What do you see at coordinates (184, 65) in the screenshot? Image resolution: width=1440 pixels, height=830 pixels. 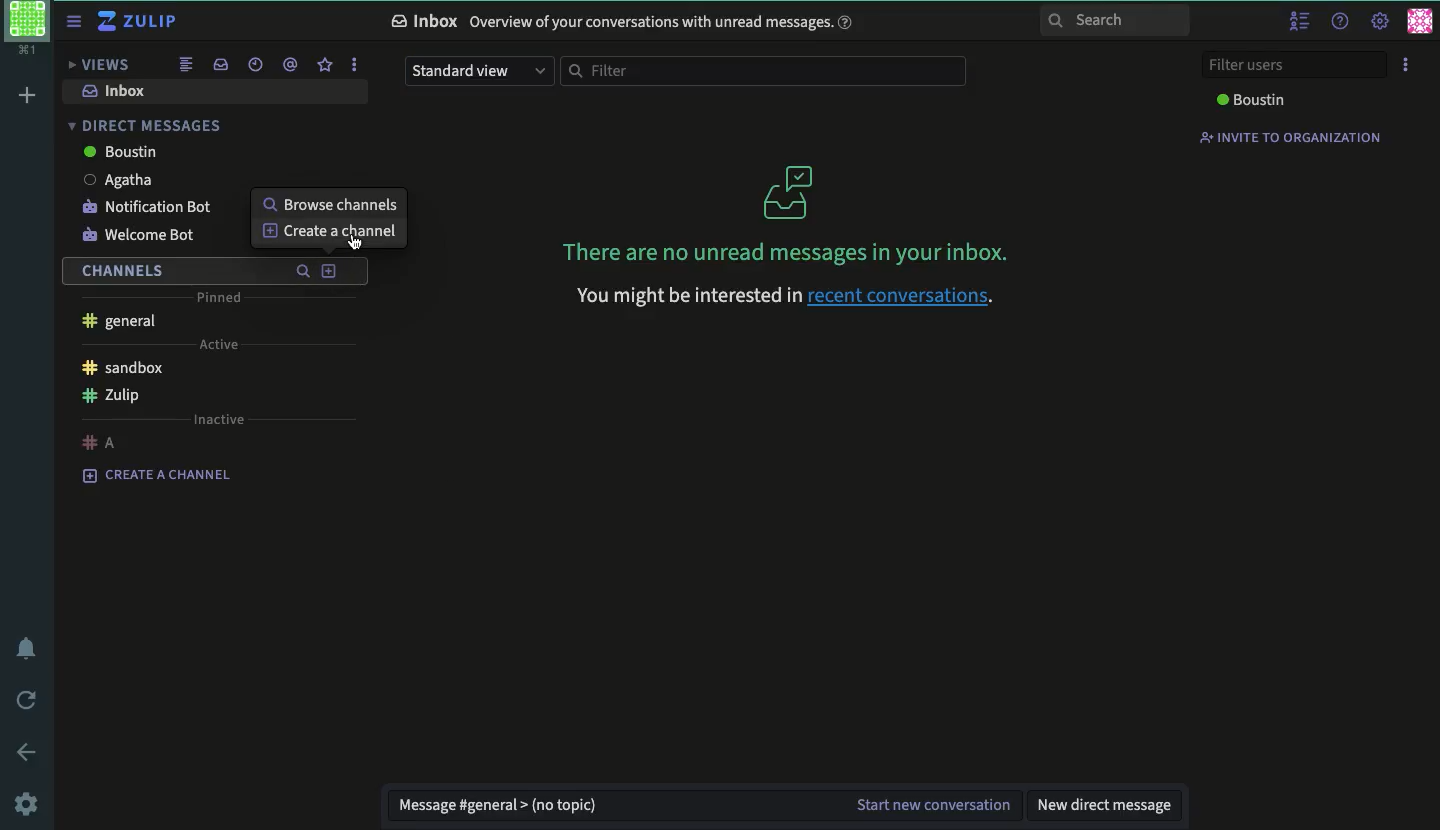 I see `combined feed` at bounding box center [184, 65].